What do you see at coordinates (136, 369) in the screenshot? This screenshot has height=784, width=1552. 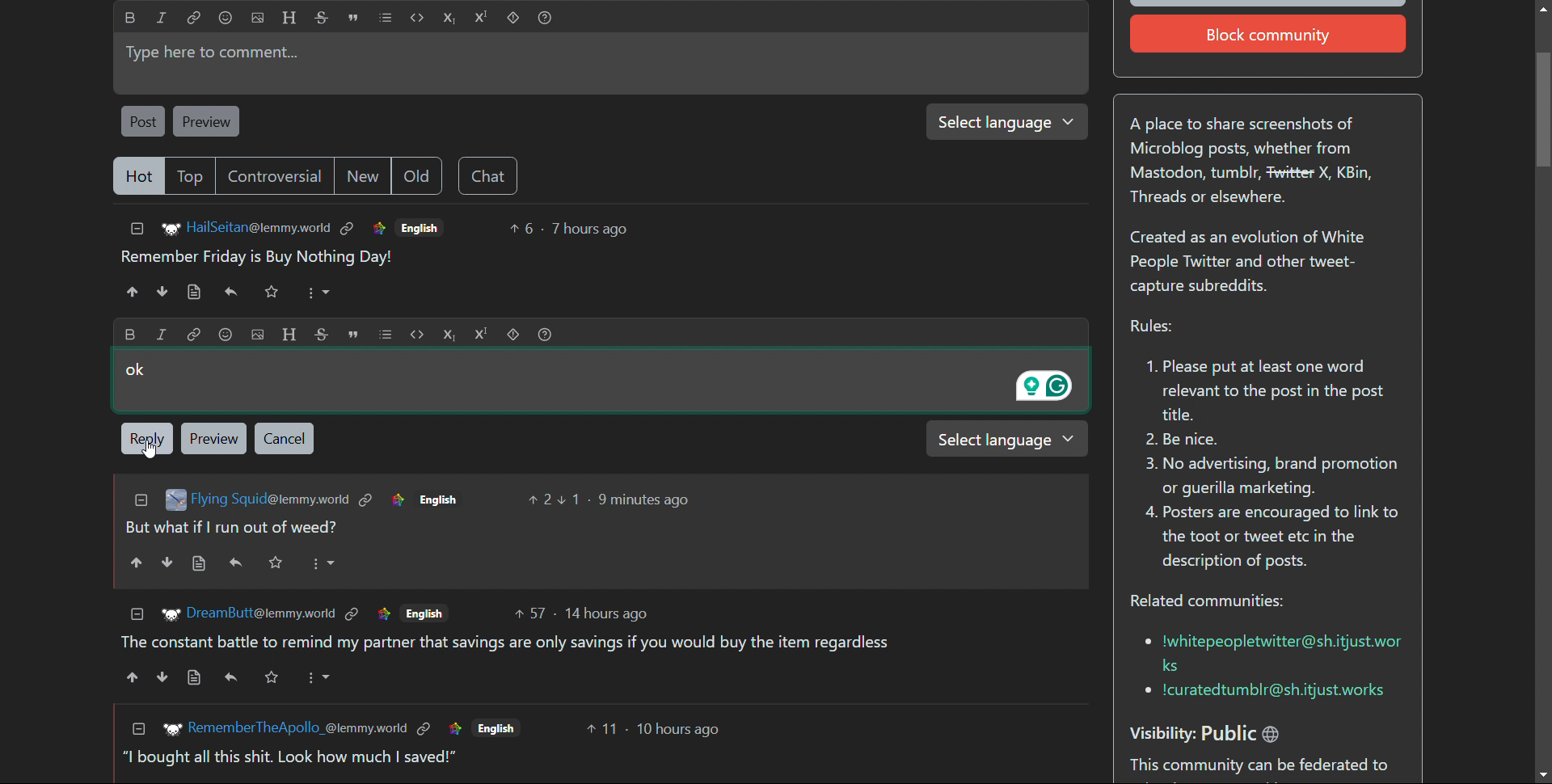 I see `ok` at bounding box center [136, 369].